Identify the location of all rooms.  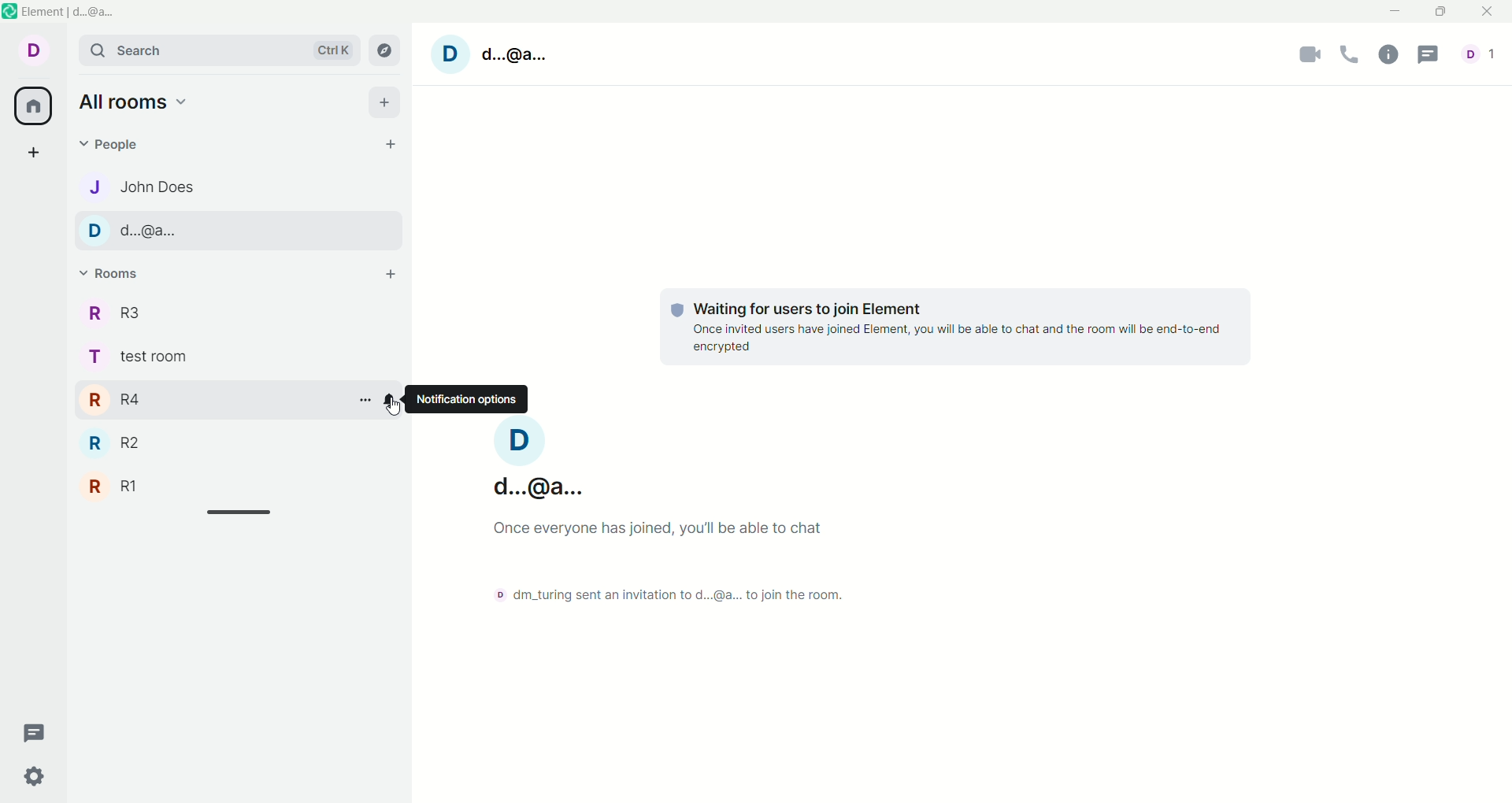
(34, 106).